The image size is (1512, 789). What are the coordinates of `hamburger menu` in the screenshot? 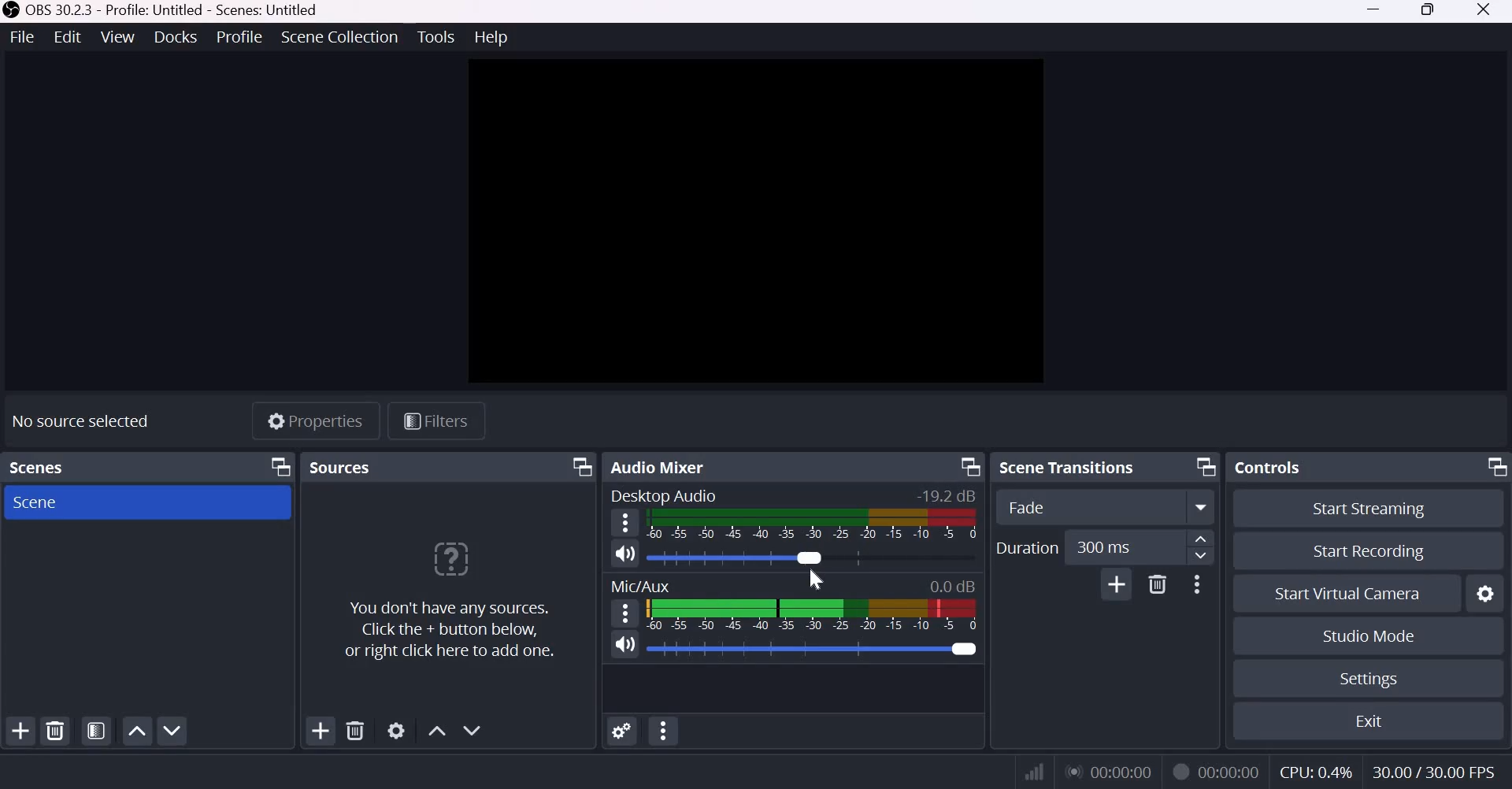 It's located at (624, 523).